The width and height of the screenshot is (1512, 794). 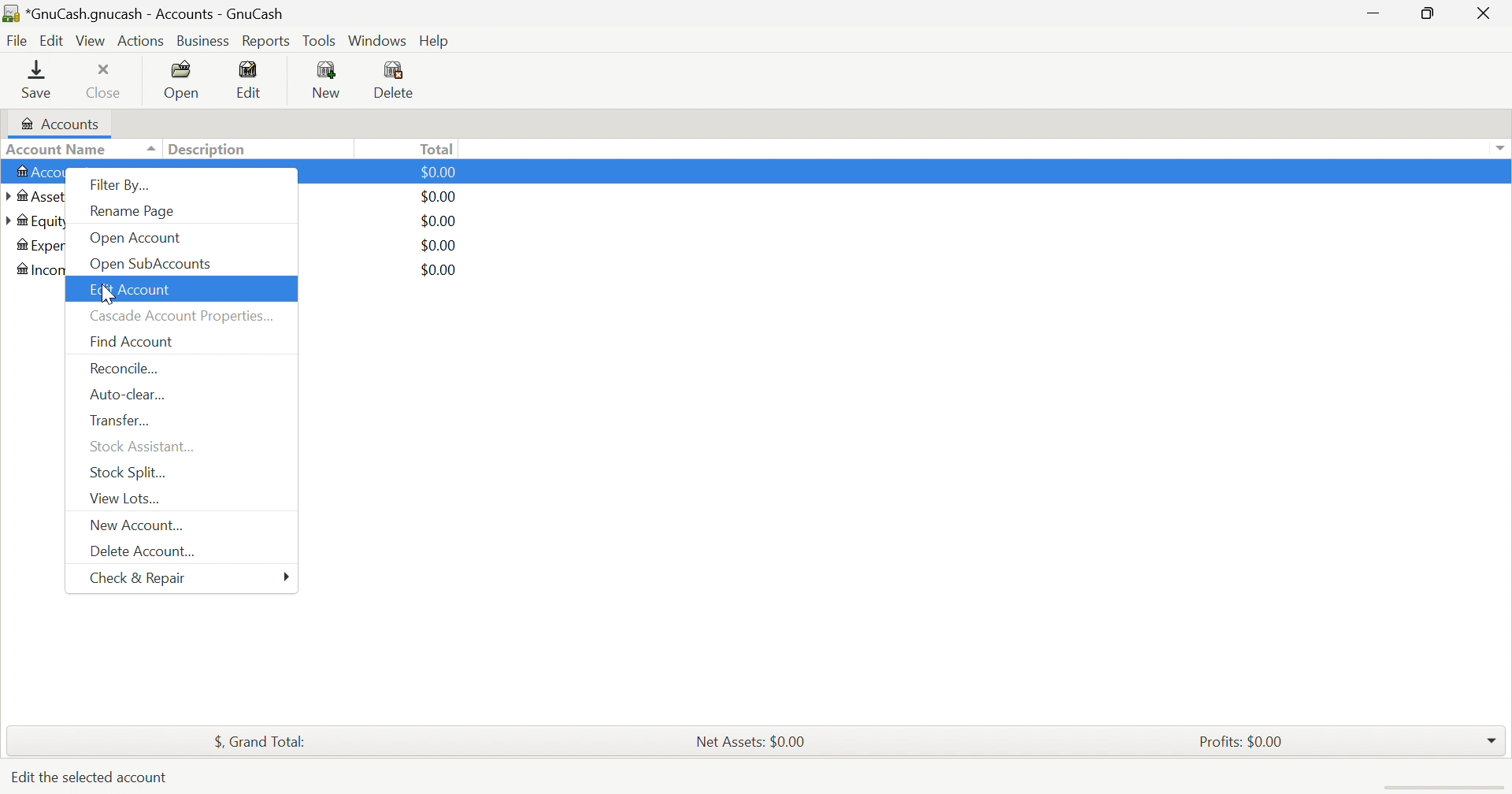 I want to click on Delete Account..., so click(x=144, y=551).